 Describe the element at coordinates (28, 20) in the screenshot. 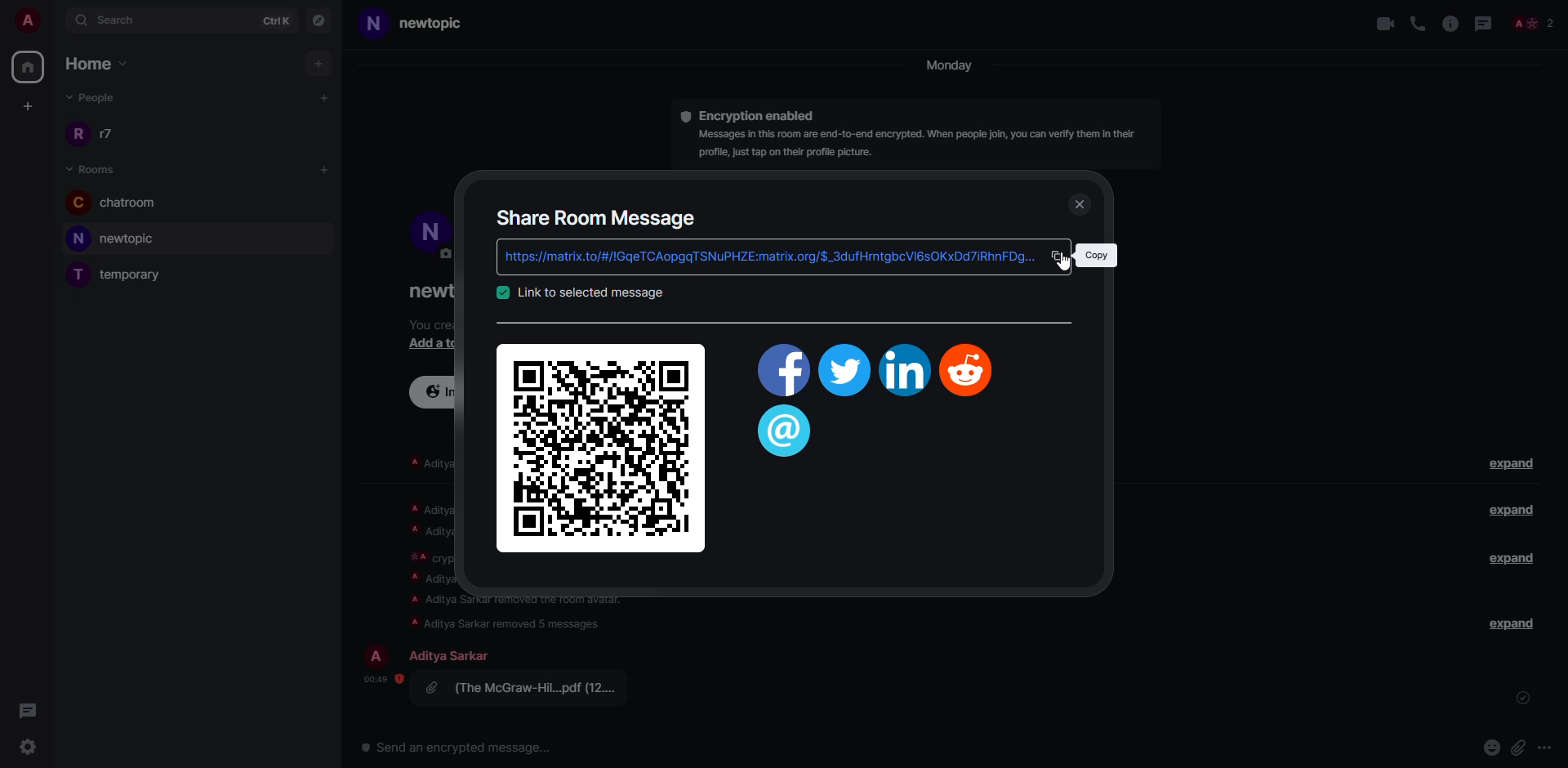

I see `account` at that location.